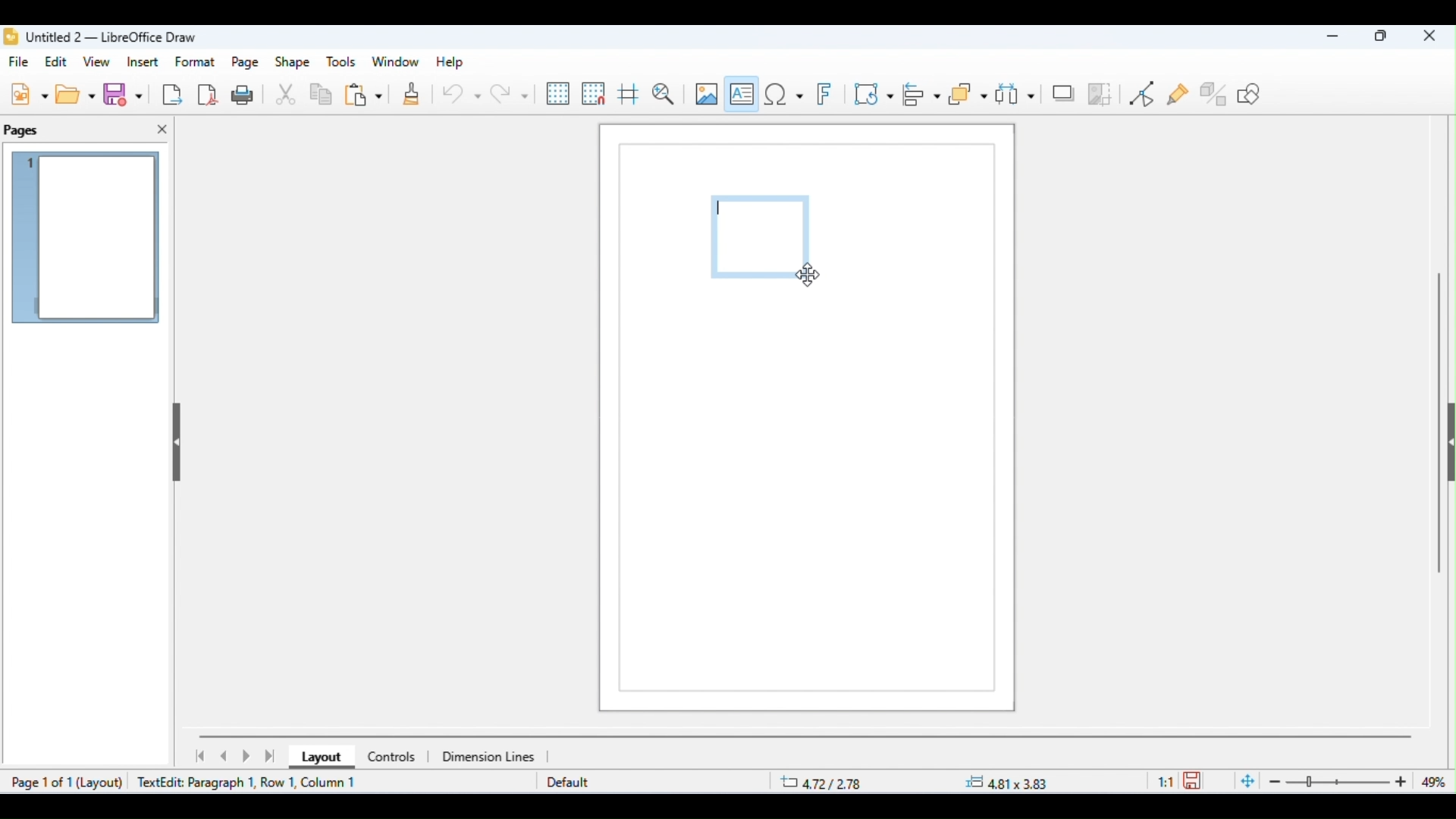 This screenshot has height=819, width=1456. I want to click on last page, so click(271, 756).